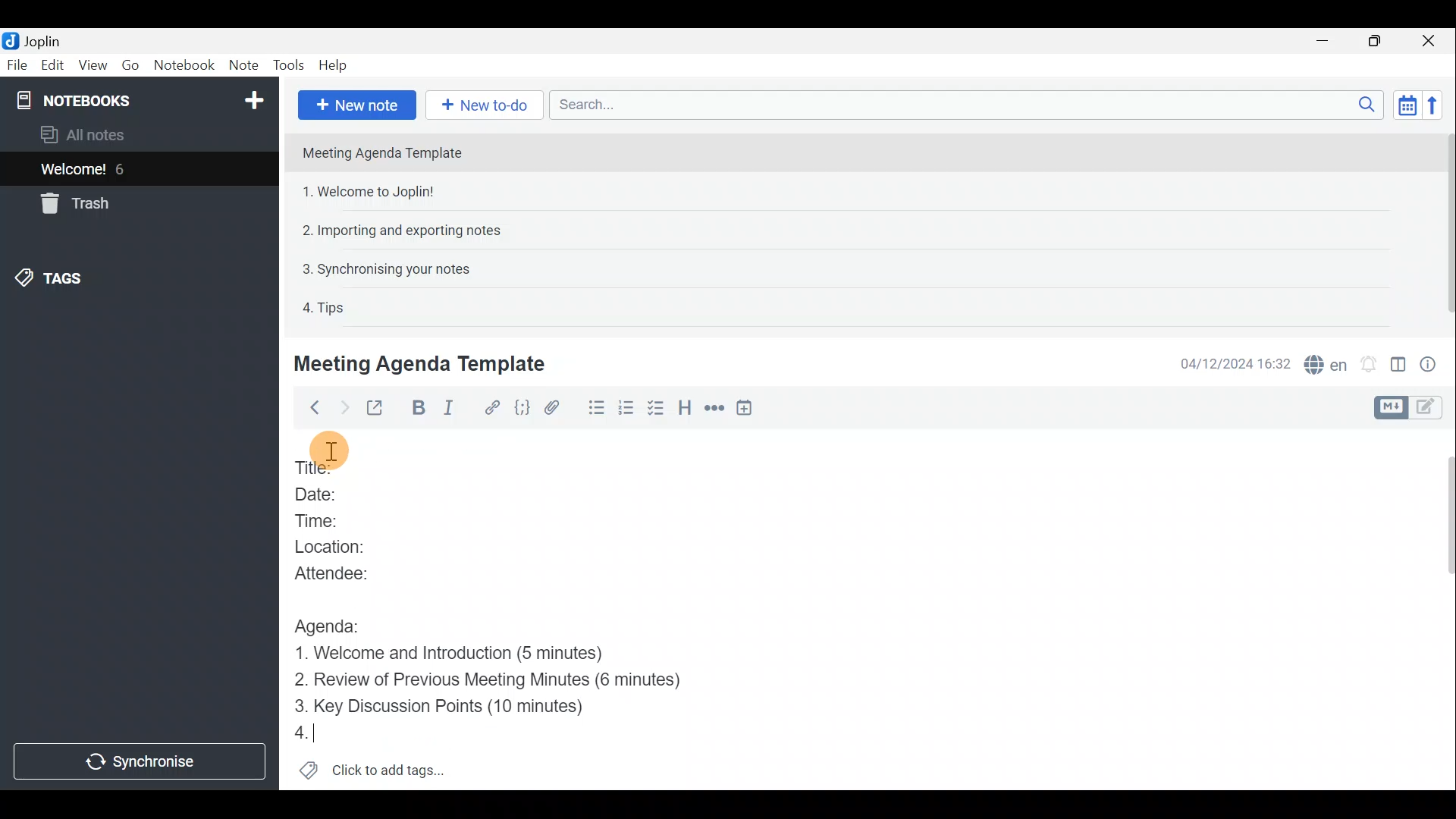 This screenshot has height=819, width=1456. I want to click on Forward, so click(342, 407).